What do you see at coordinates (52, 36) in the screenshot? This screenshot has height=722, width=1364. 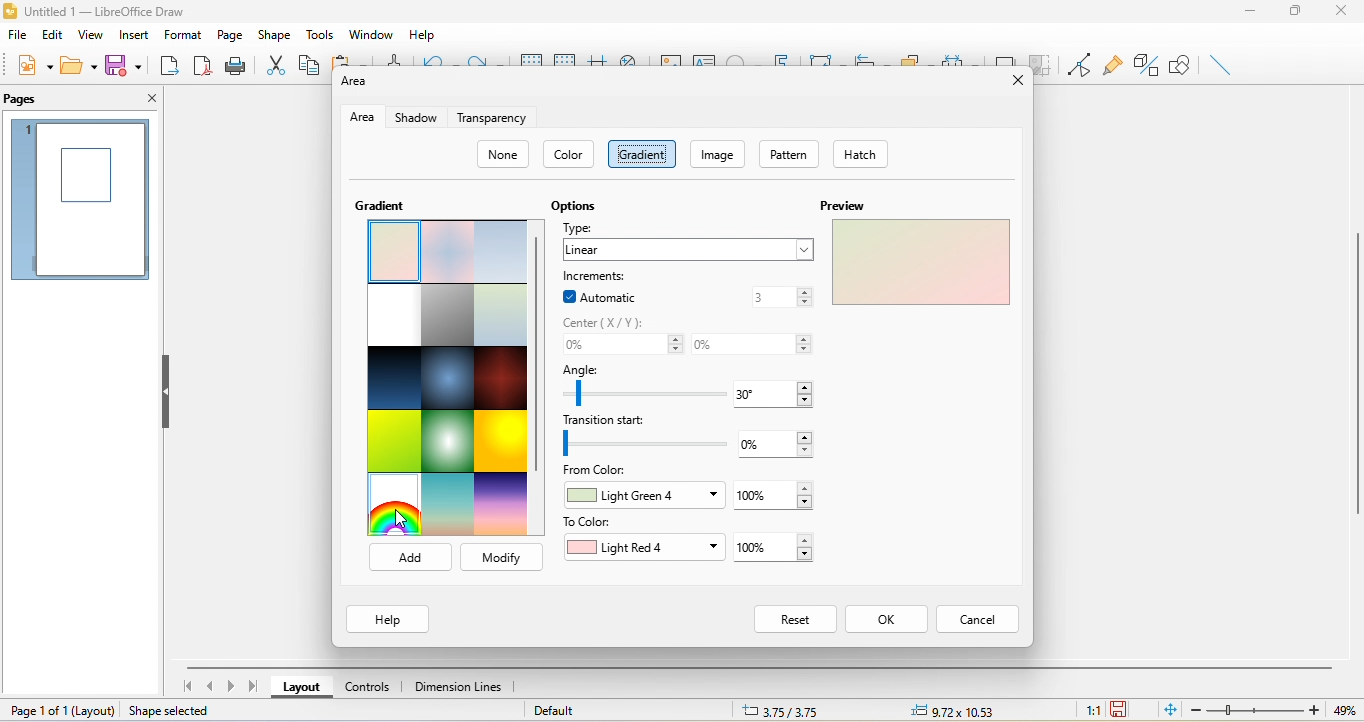 I see `edit` at bounding box center [52, 36].